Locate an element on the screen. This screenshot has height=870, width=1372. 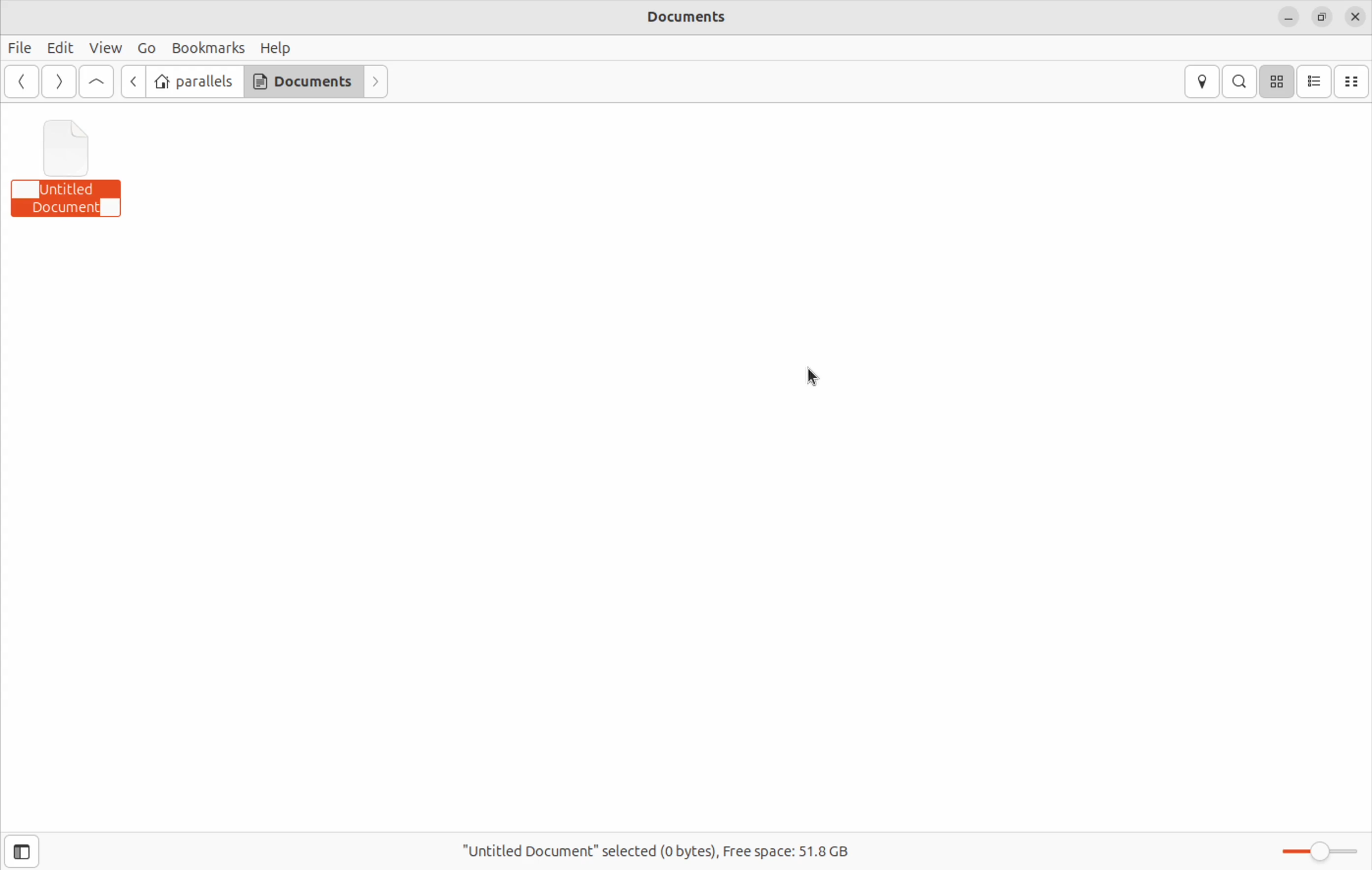
parallels is located at coordinates (194, 82).